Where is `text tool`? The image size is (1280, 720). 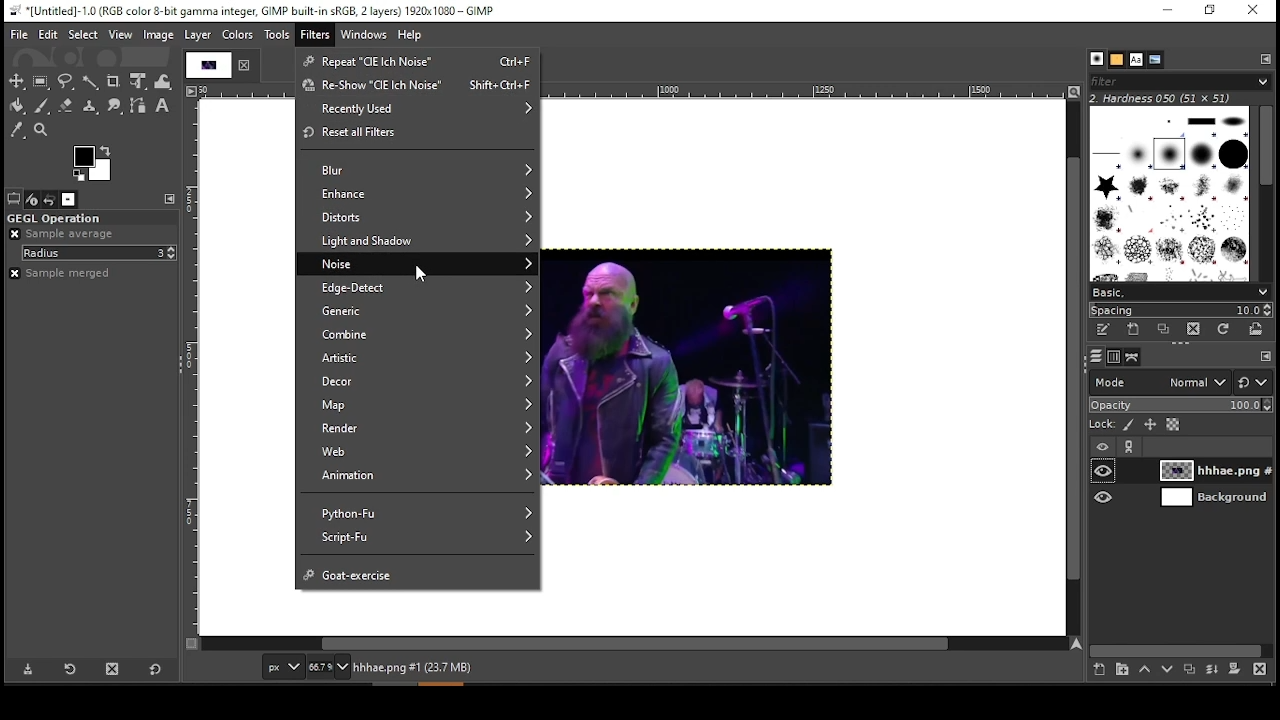
text tool is located at coordinates (162, 106).